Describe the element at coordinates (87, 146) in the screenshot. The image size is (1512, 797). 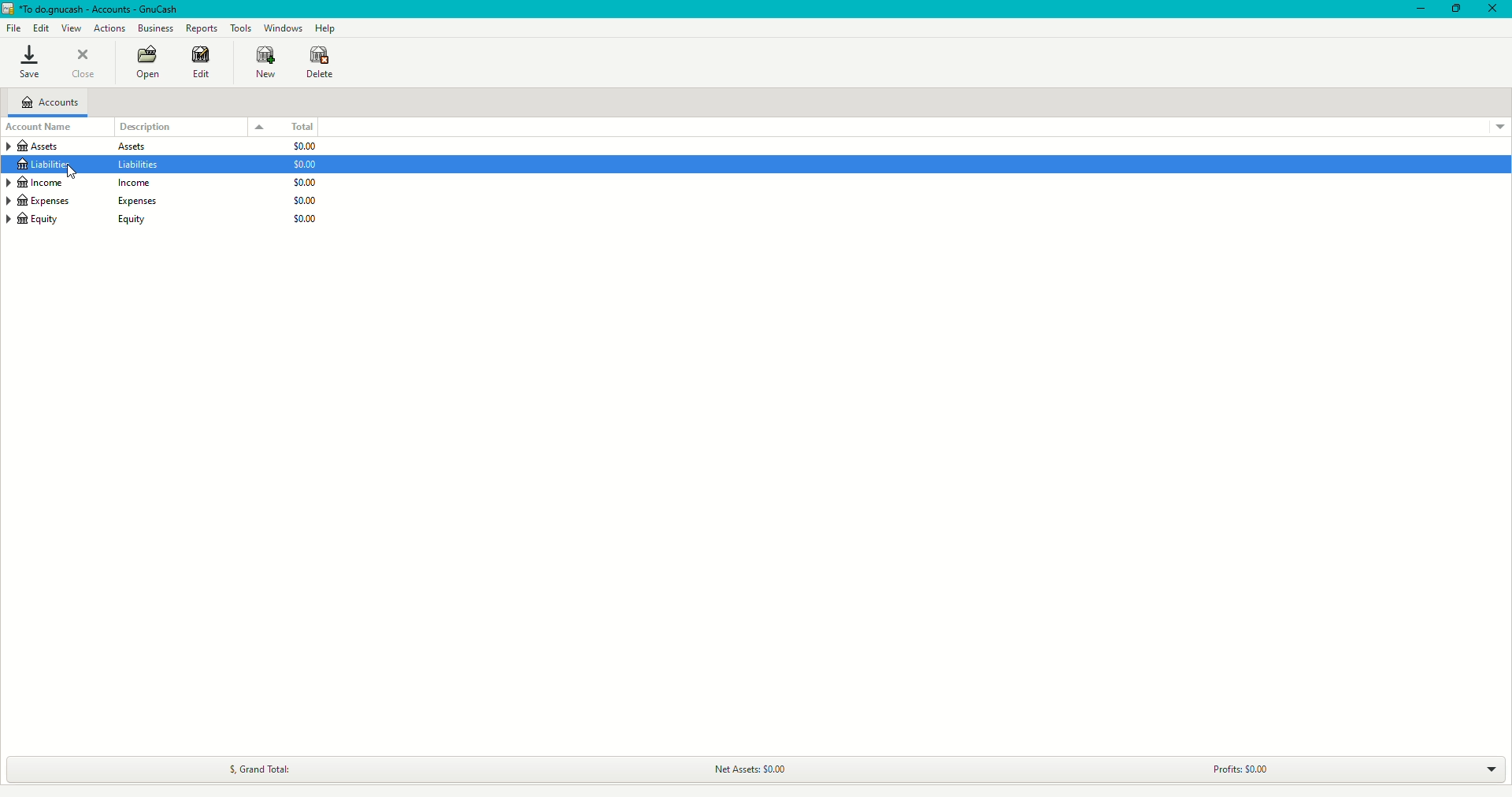
I see `Assets` at that location.